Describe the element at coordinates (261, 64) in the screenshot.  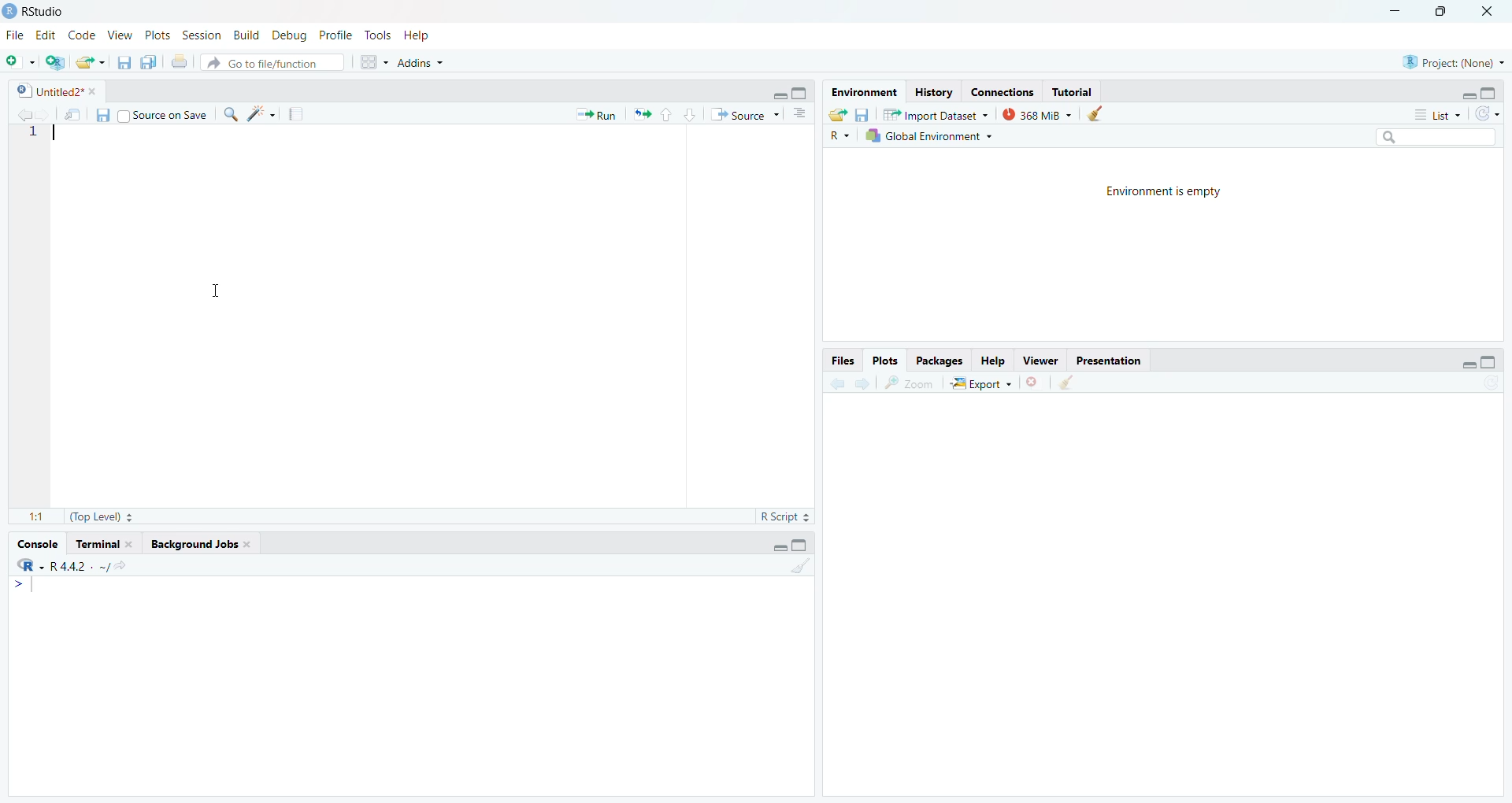
I see `® Go to file/function` at that location.